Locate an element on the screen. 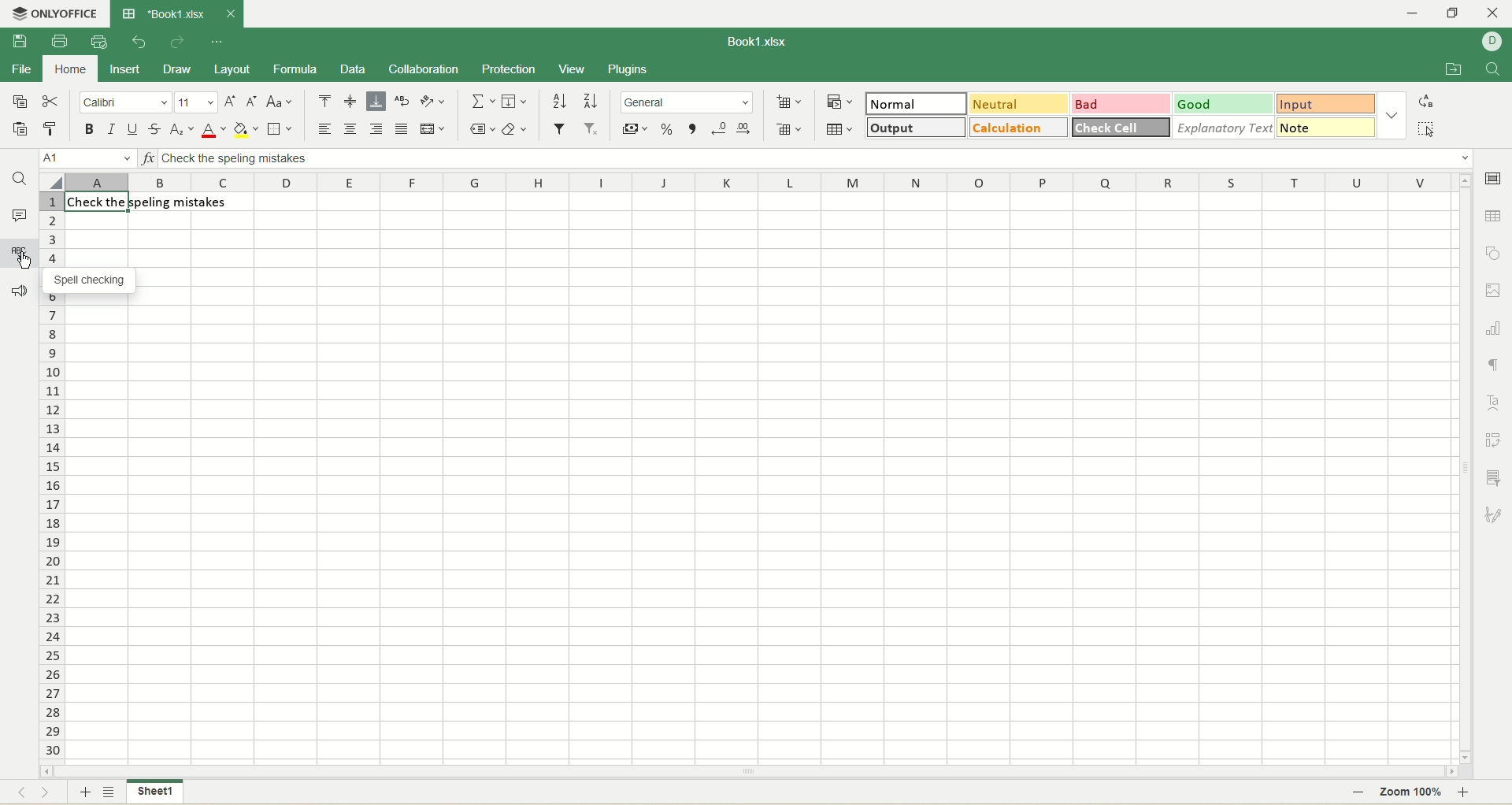 This screenshot has width=1512, height=805. close is located at coordinates (229, 14).